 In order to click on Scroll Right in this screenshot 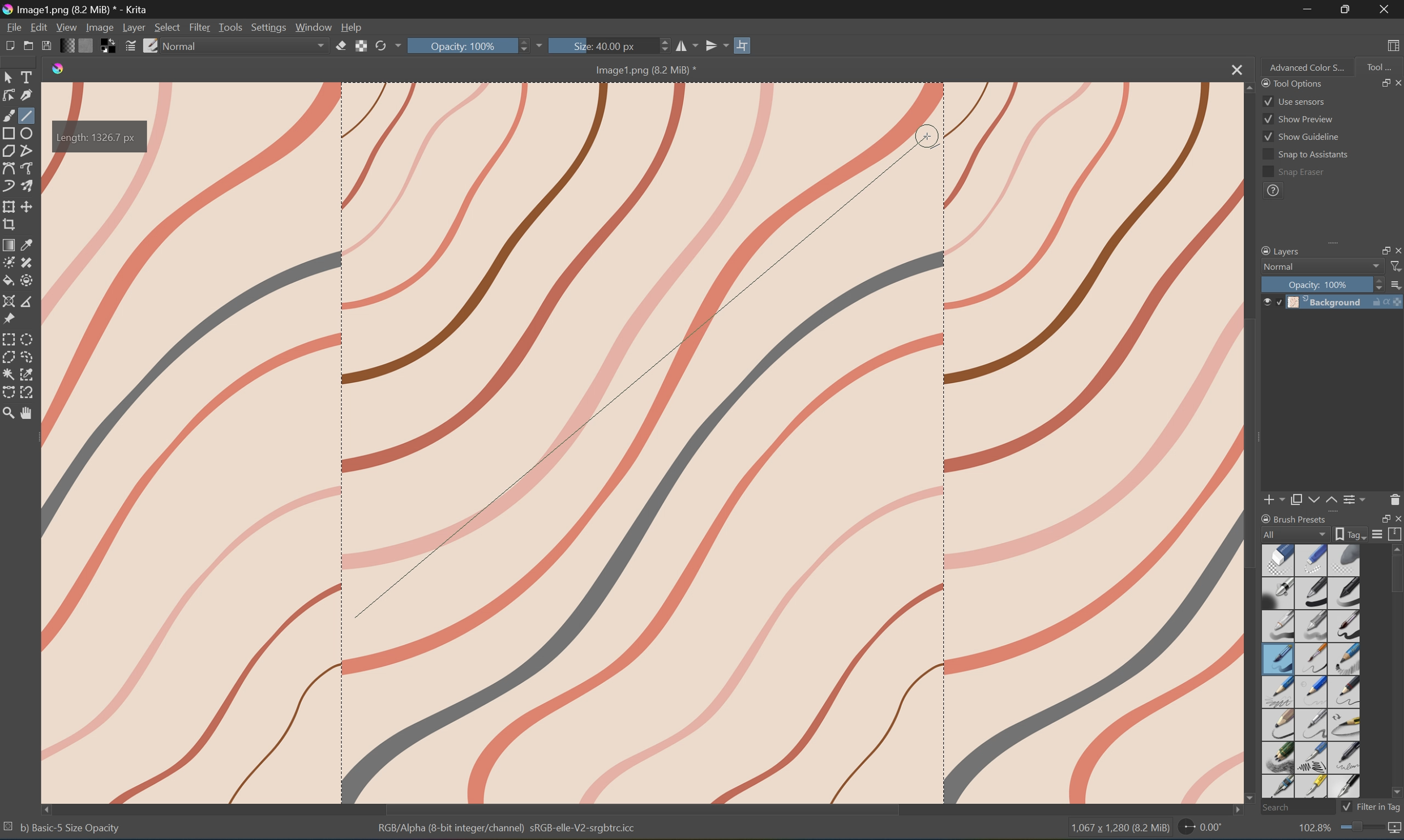, I will do `click(1396, 233)`.